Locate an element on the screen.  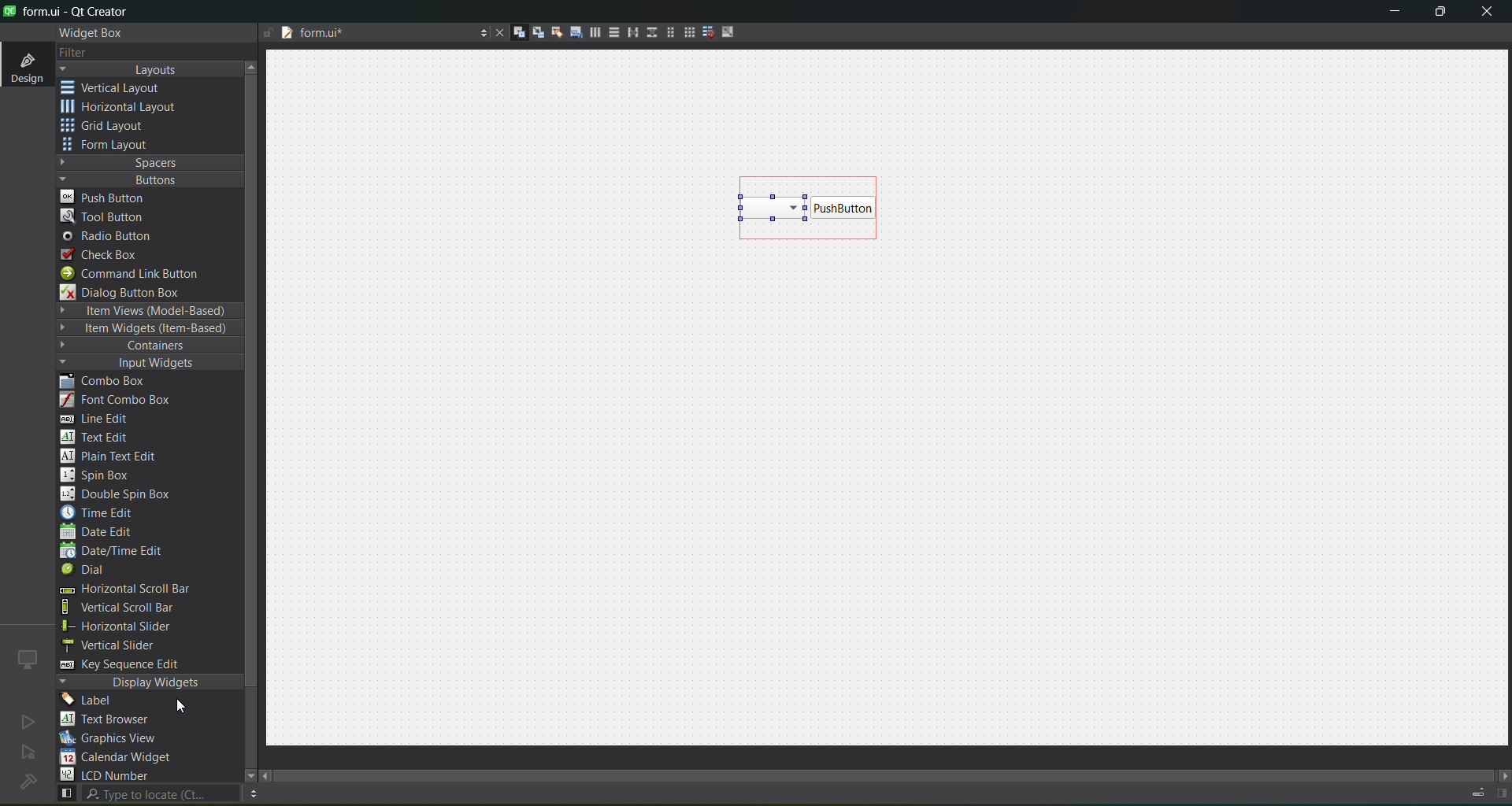
vertical is located at coordinates (122, 88).